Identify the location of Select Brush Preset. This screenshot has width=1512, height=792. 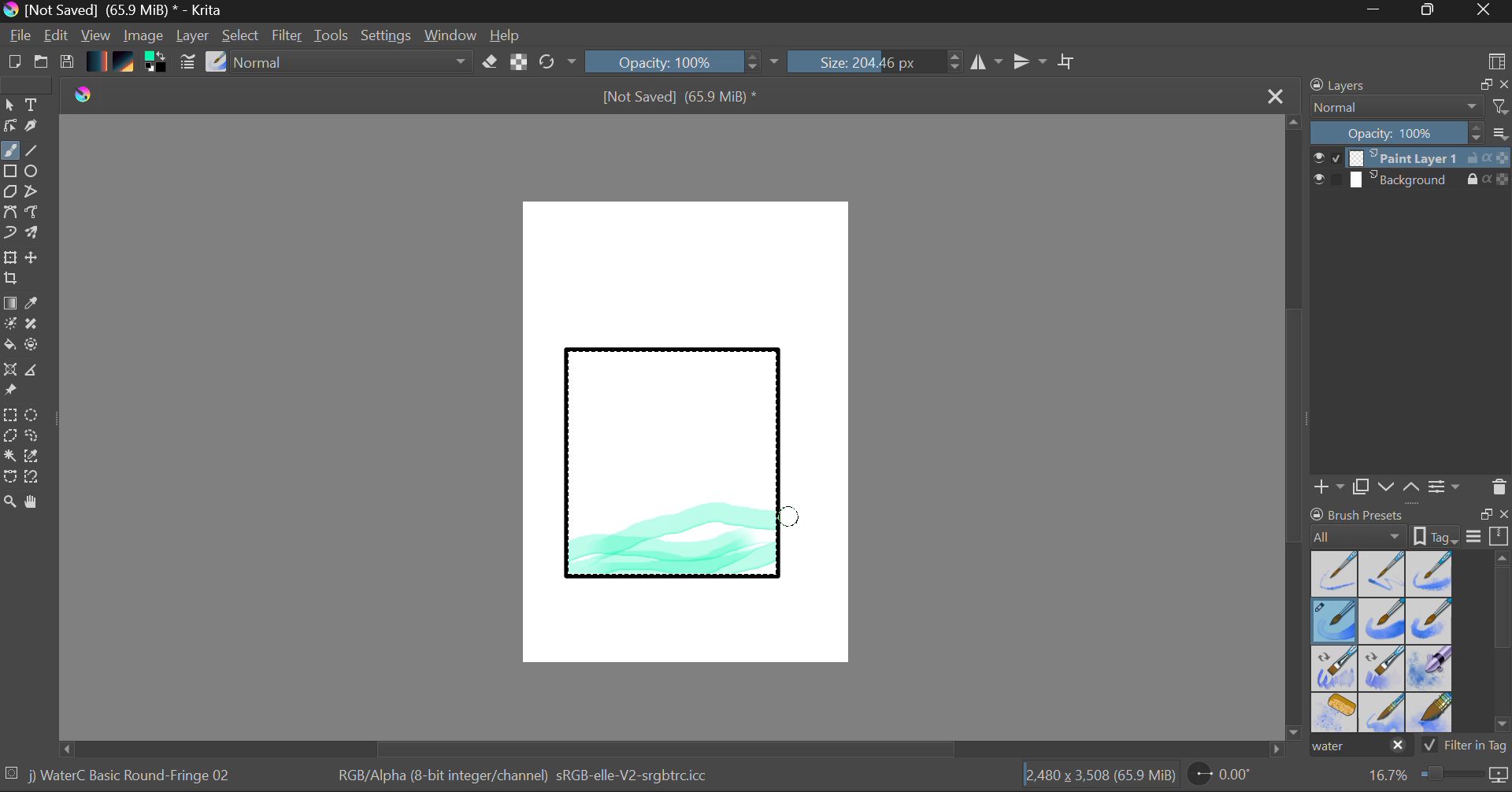
(217, 62).